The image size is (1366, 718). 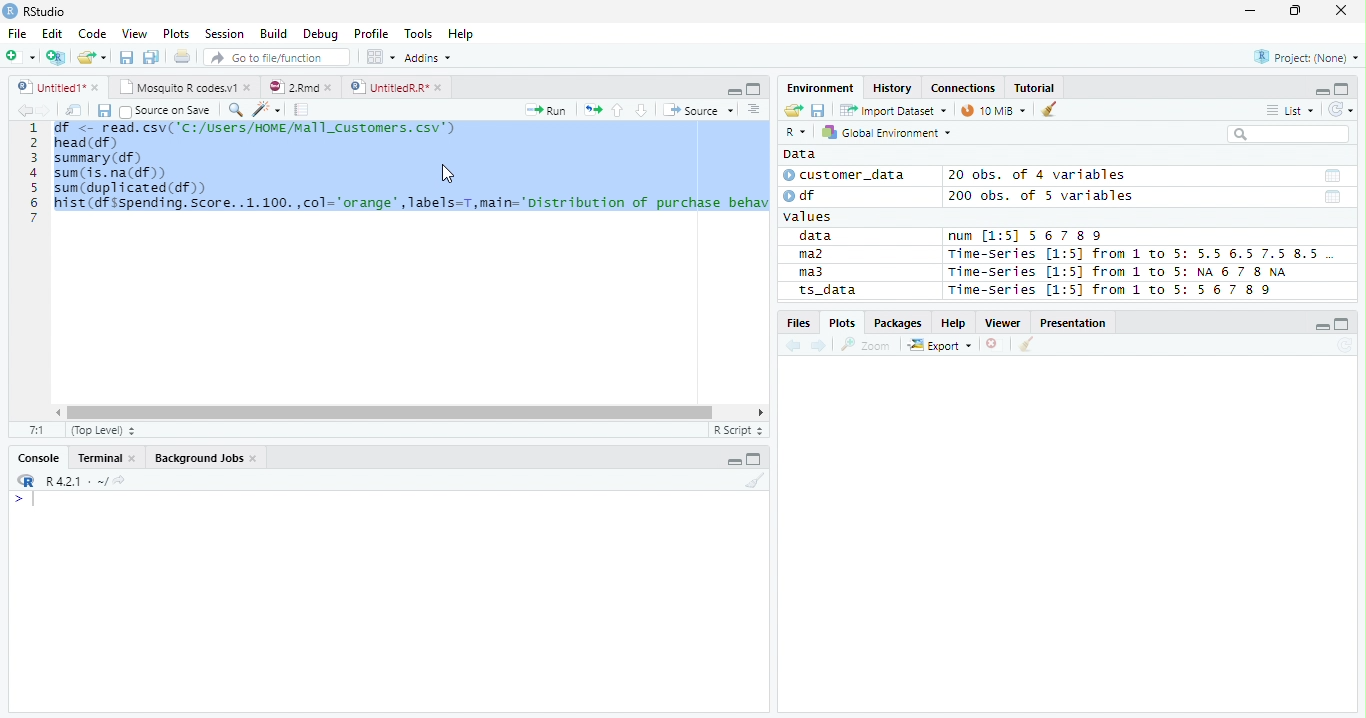 I want to click on View Current work directory, so click(x=121, y=480).